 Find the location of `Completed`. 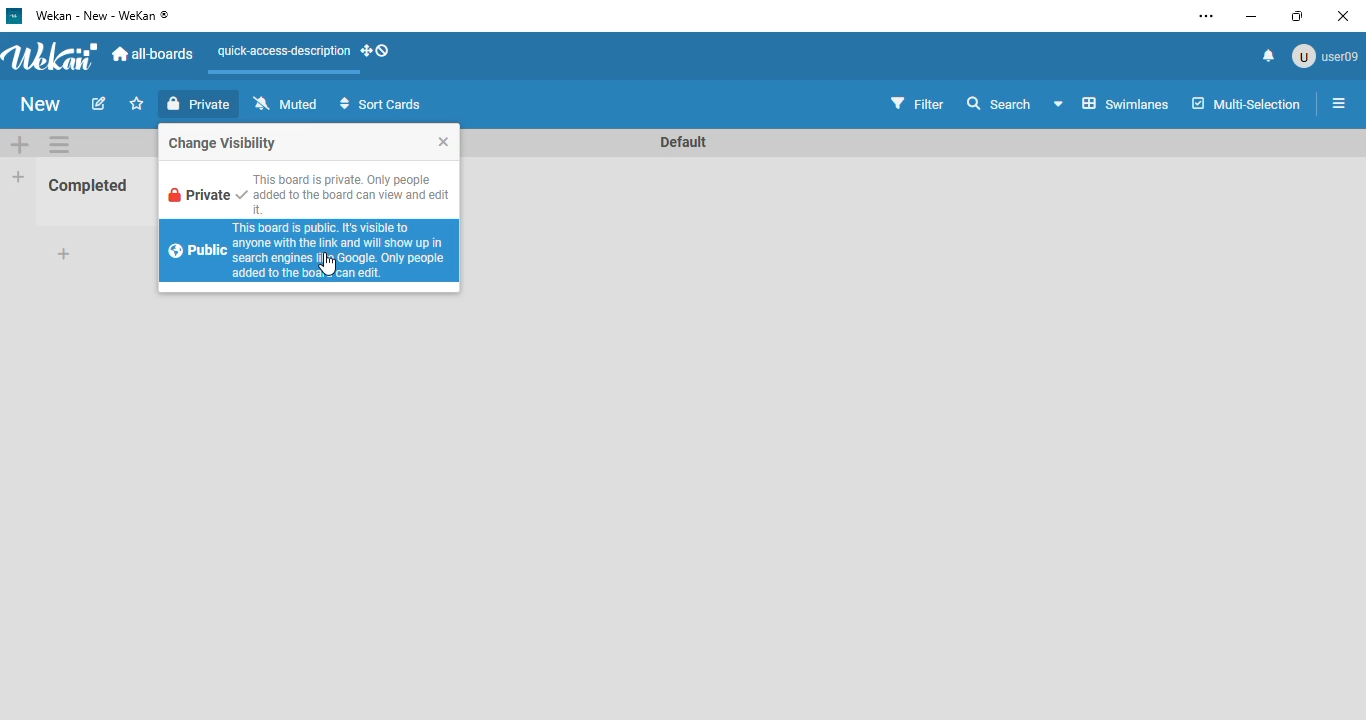

Completed is located at coordinates (90, 185).